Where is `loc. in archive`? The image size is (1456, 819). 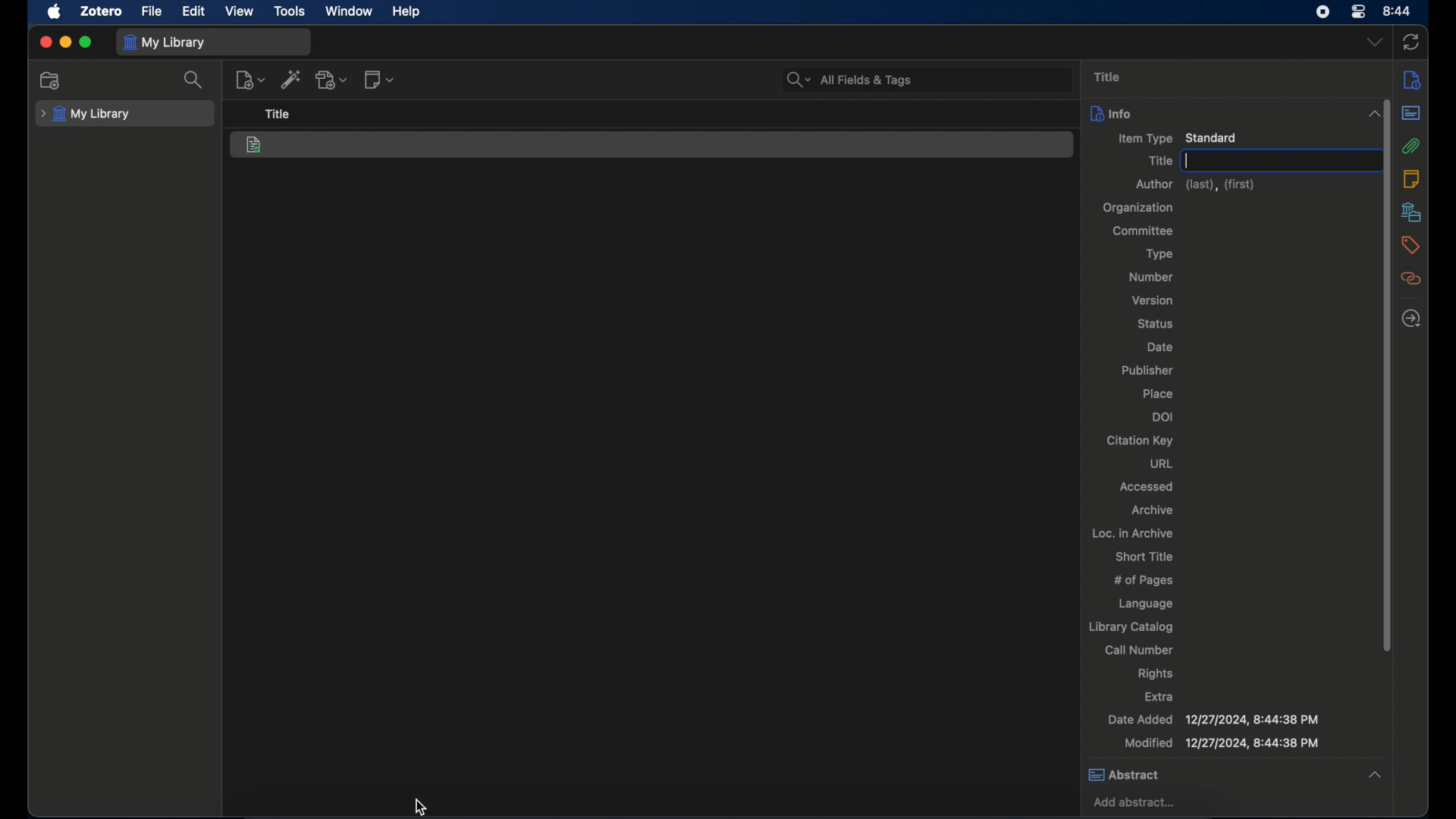
loc. in archive is located at coordinates (1134, 532).